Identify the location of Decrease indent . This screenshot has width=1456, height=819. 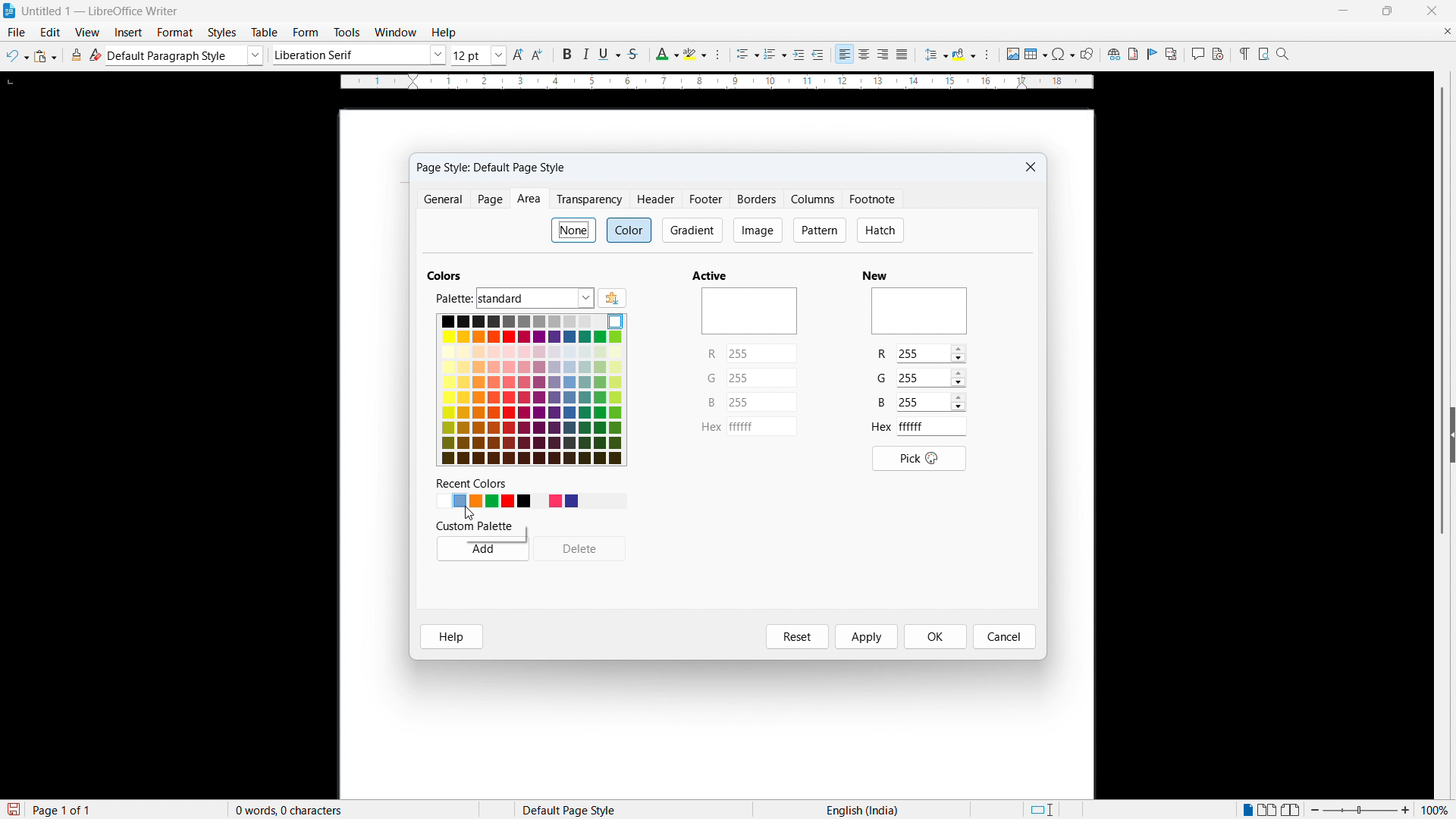
(819, 55).